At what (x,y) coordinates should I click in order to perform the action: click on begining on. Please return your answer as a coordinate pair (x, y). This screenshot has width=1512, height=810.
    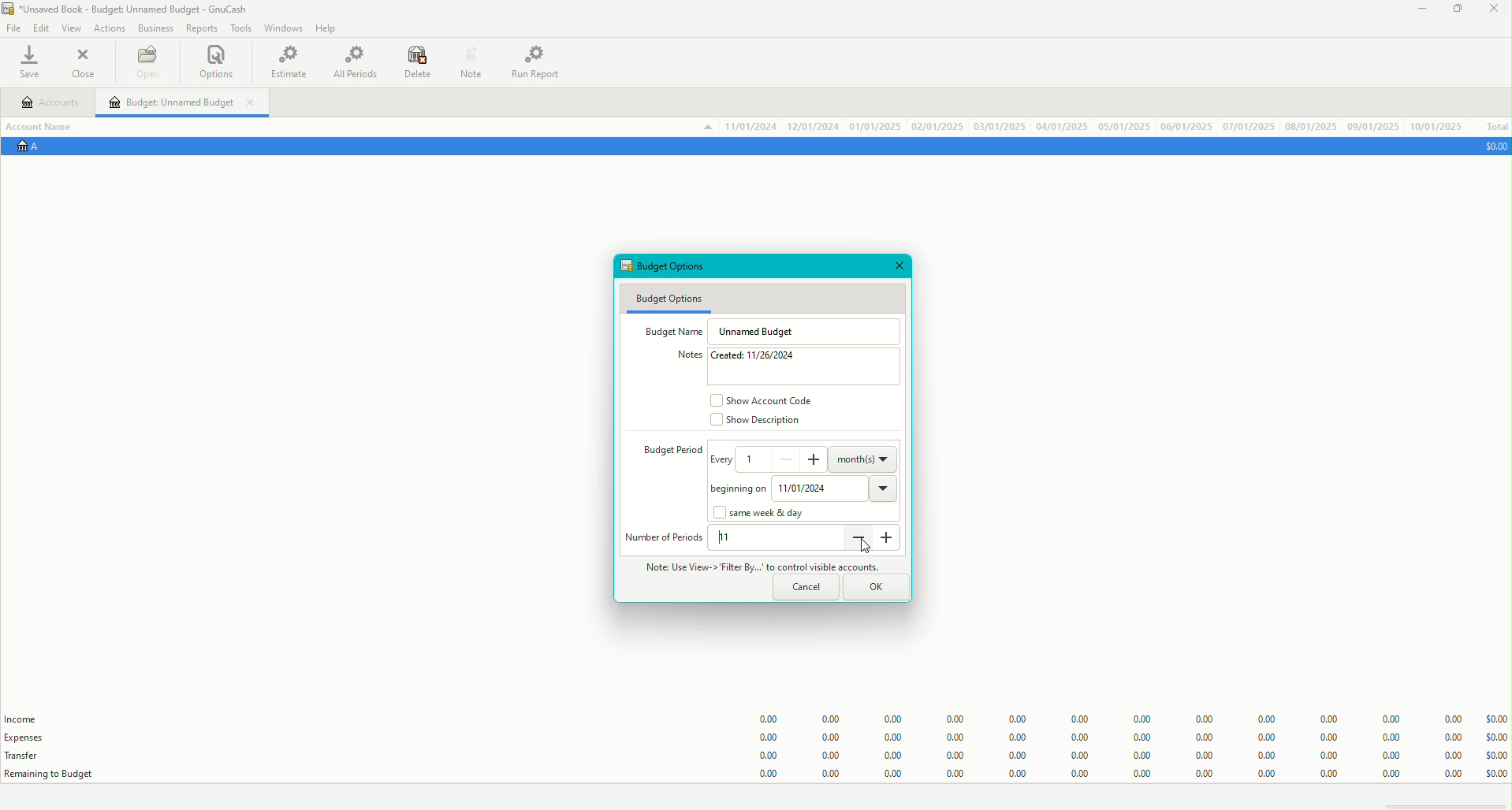
    Looking at the image, I should click on (734, 490).